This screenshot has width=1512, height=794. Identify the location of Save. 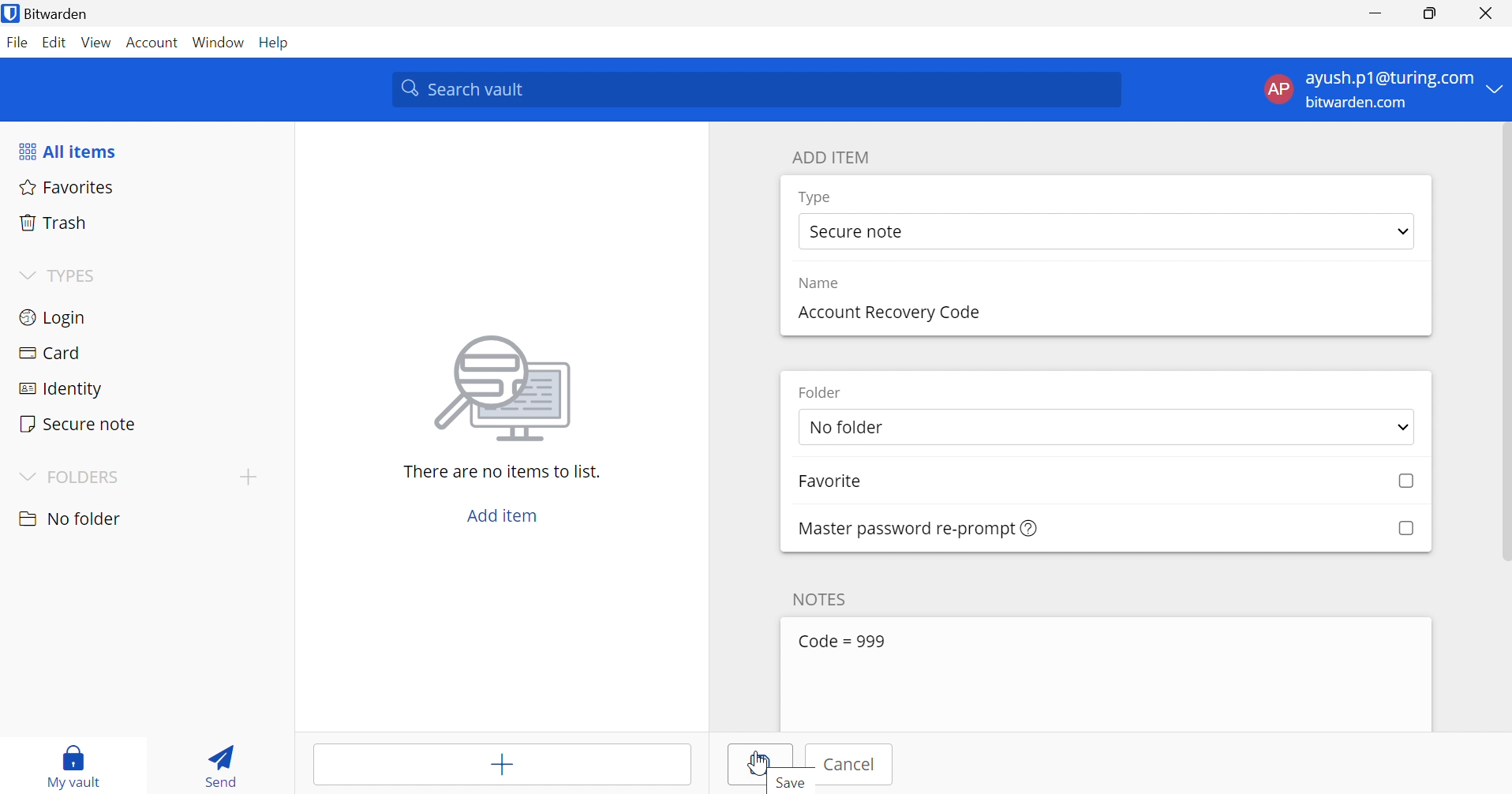
(791, 784).